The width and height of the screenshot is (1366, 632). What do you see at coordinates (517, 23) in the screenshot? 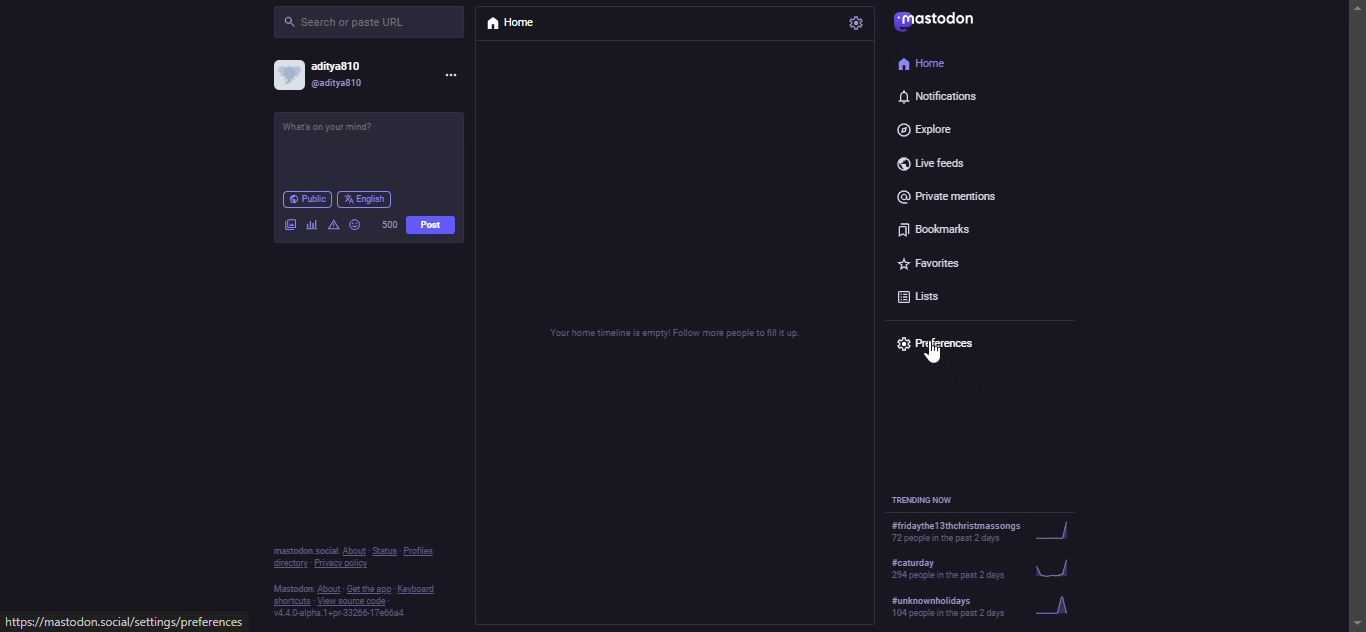
I see `home` at bounding box center [517, 23].